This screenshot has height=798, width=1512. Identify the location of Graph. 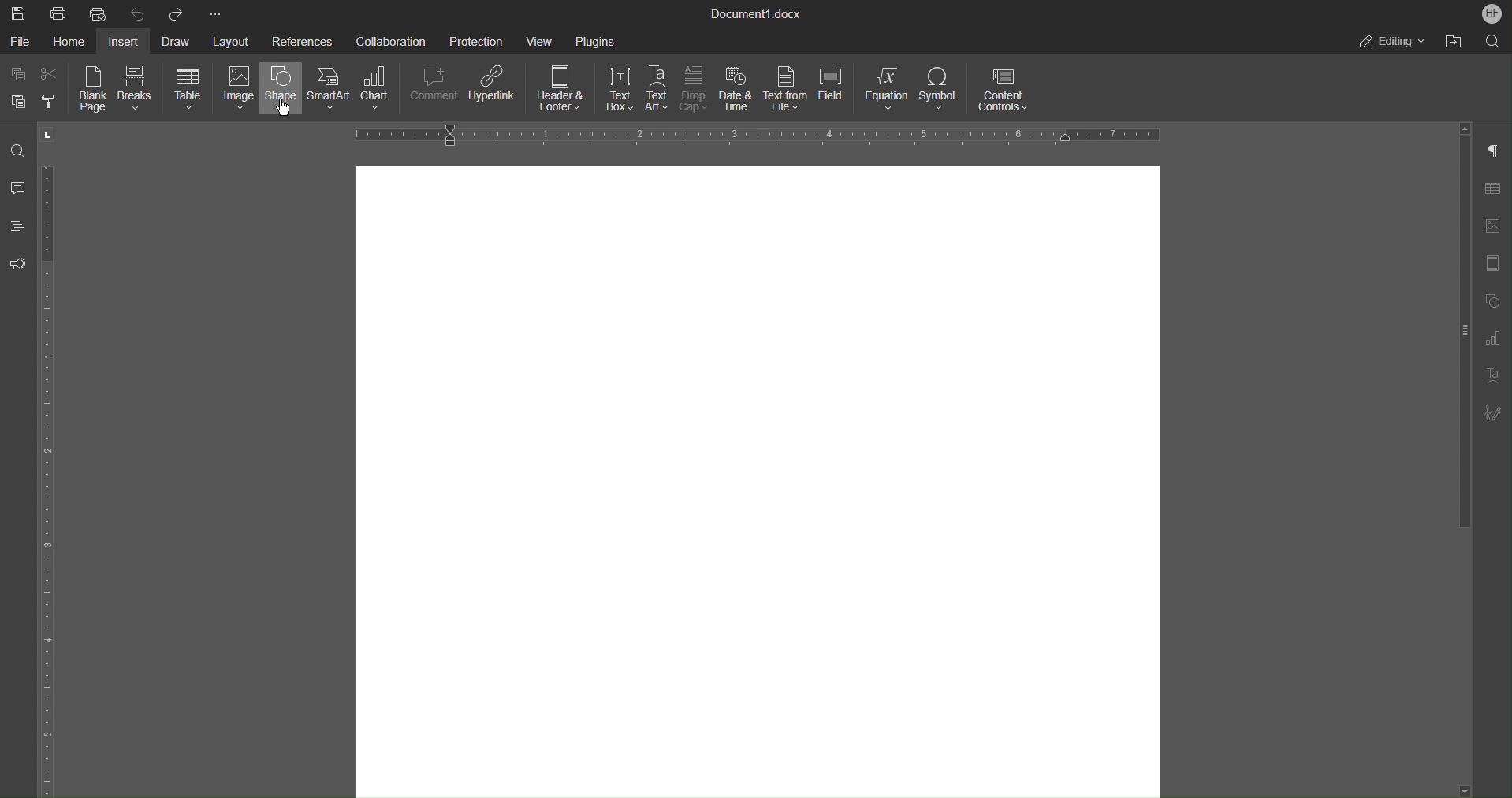
(1499, 338).